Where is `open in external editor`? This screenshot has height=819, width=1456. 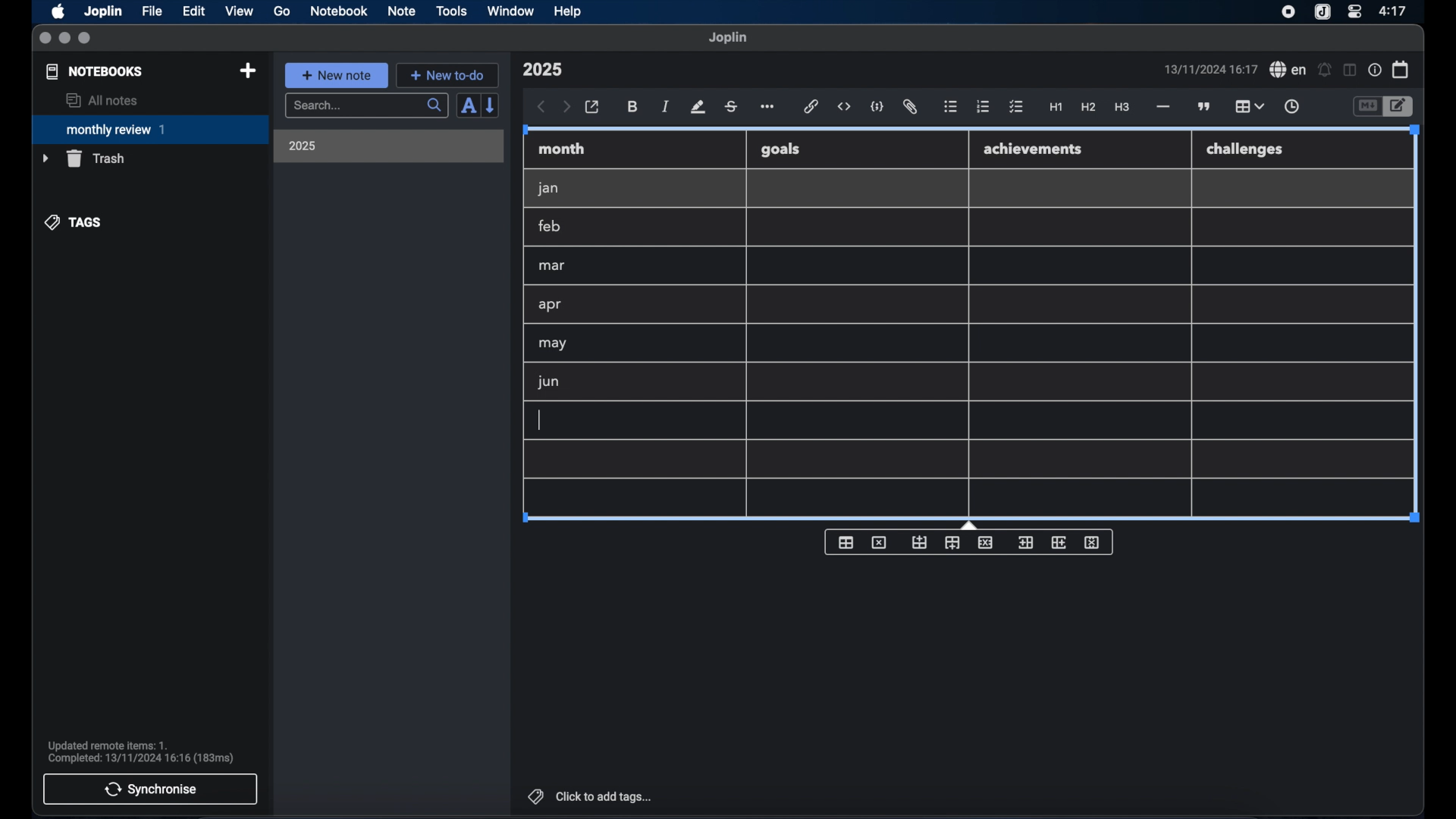 open in external editor is located at coordinates (593, 108).